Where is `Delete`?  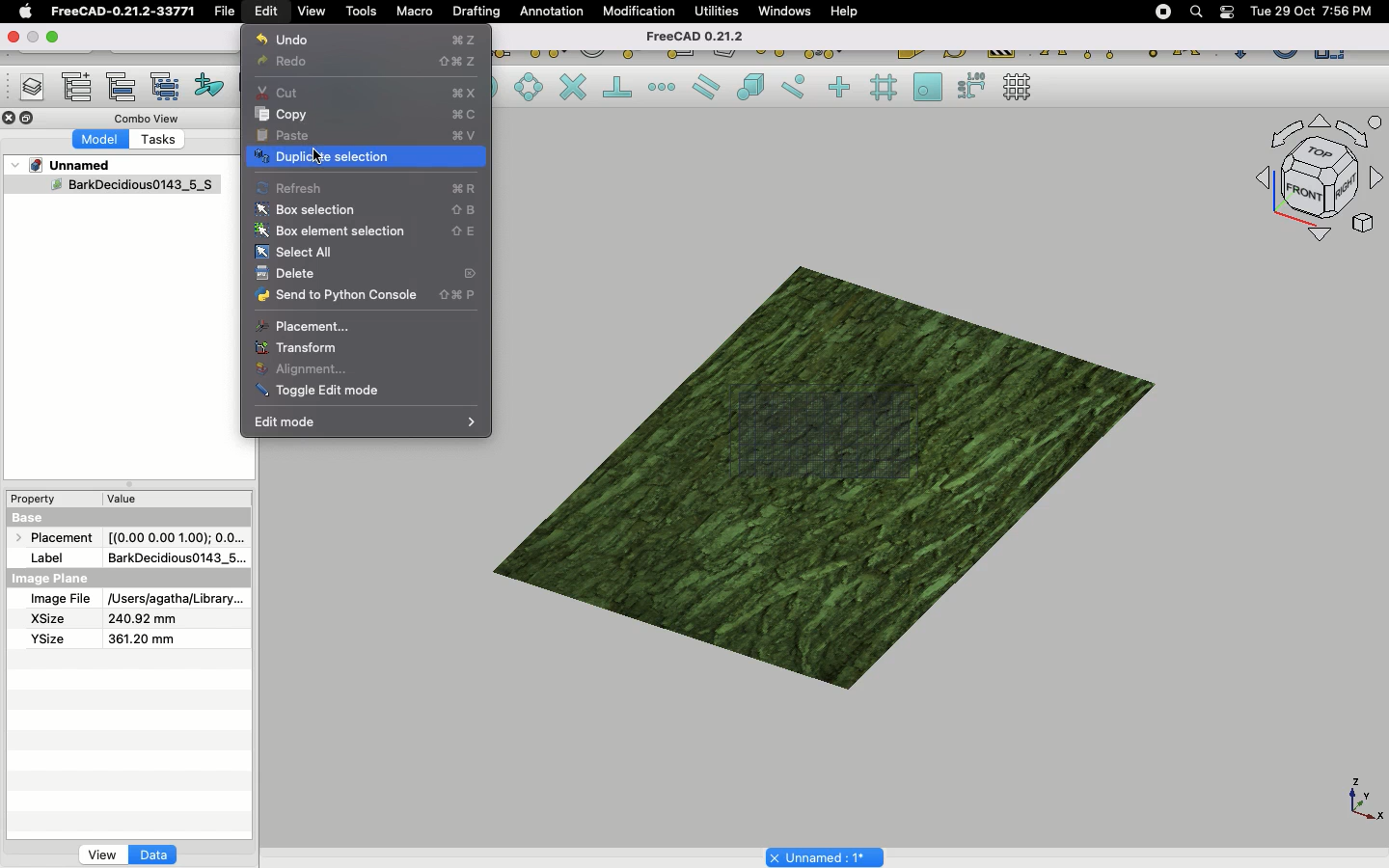 Delete is located at coordinates (286, 275).